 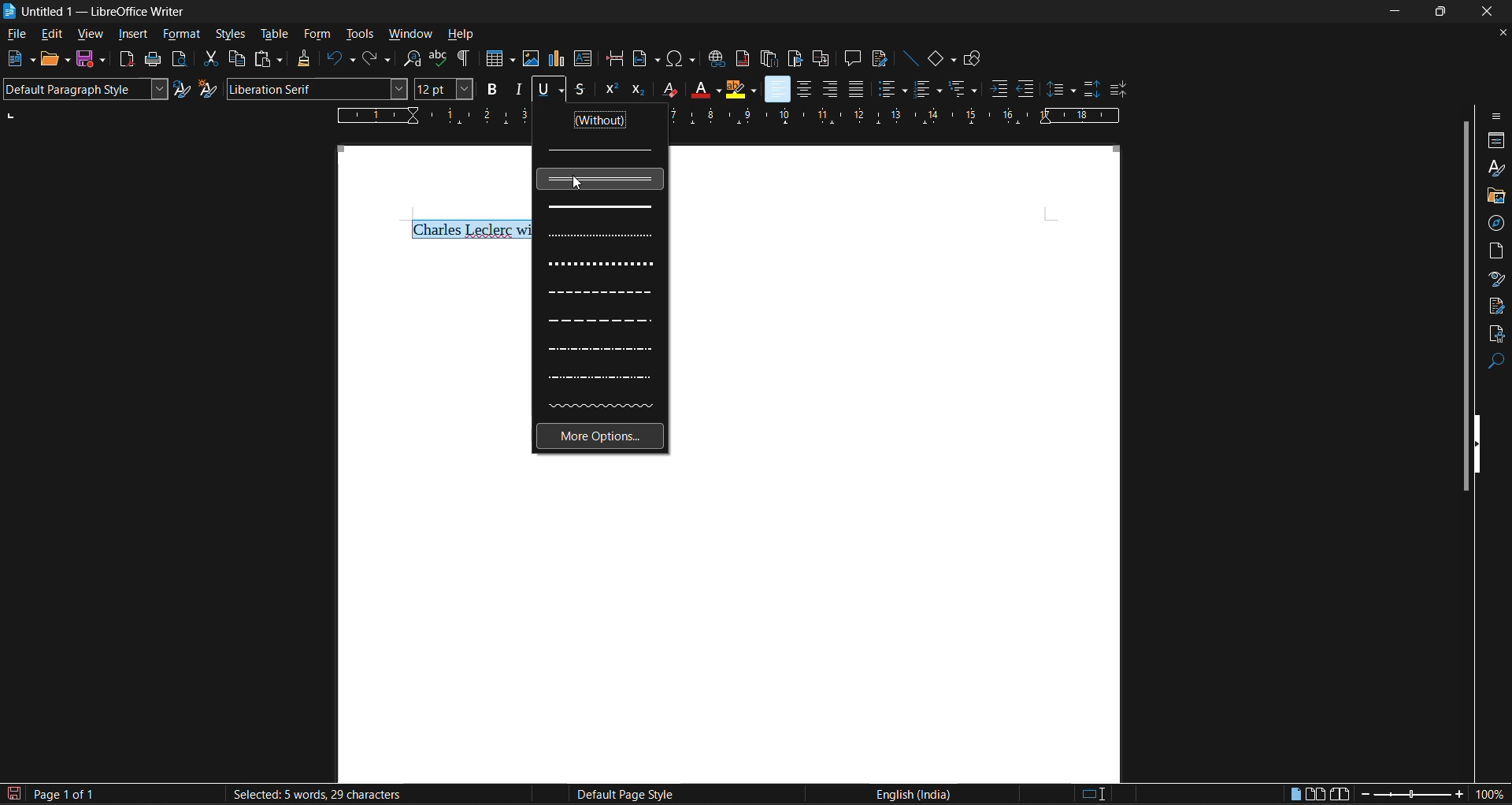 What do you see at coordinates (1496, 224) in the screenshot?
I see `navigator` at bounding box center [1496, 224].